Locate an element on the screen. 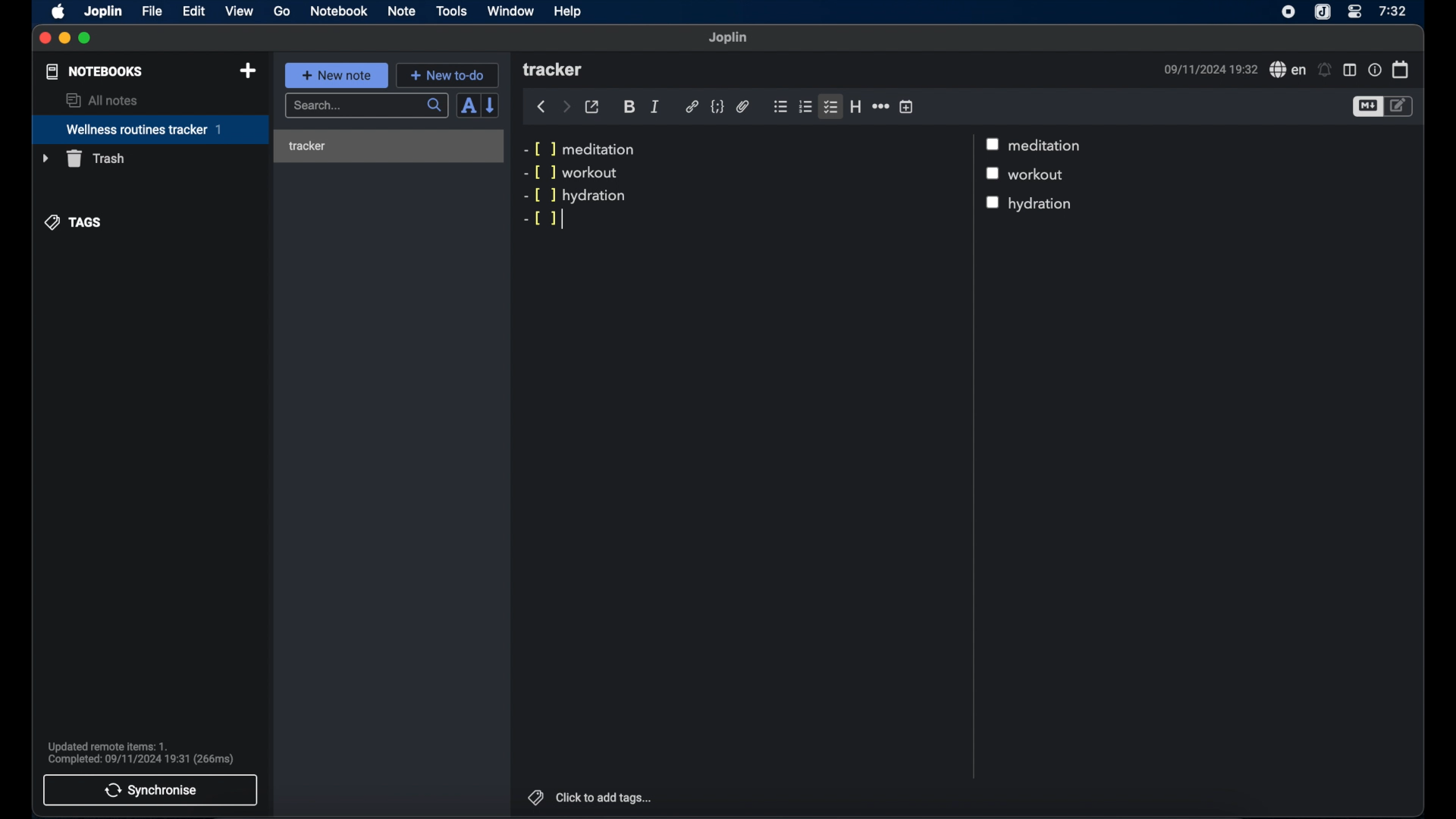 This screenshot has height=819, width=1456. toggle editor is located at coordinates (1401, 107).